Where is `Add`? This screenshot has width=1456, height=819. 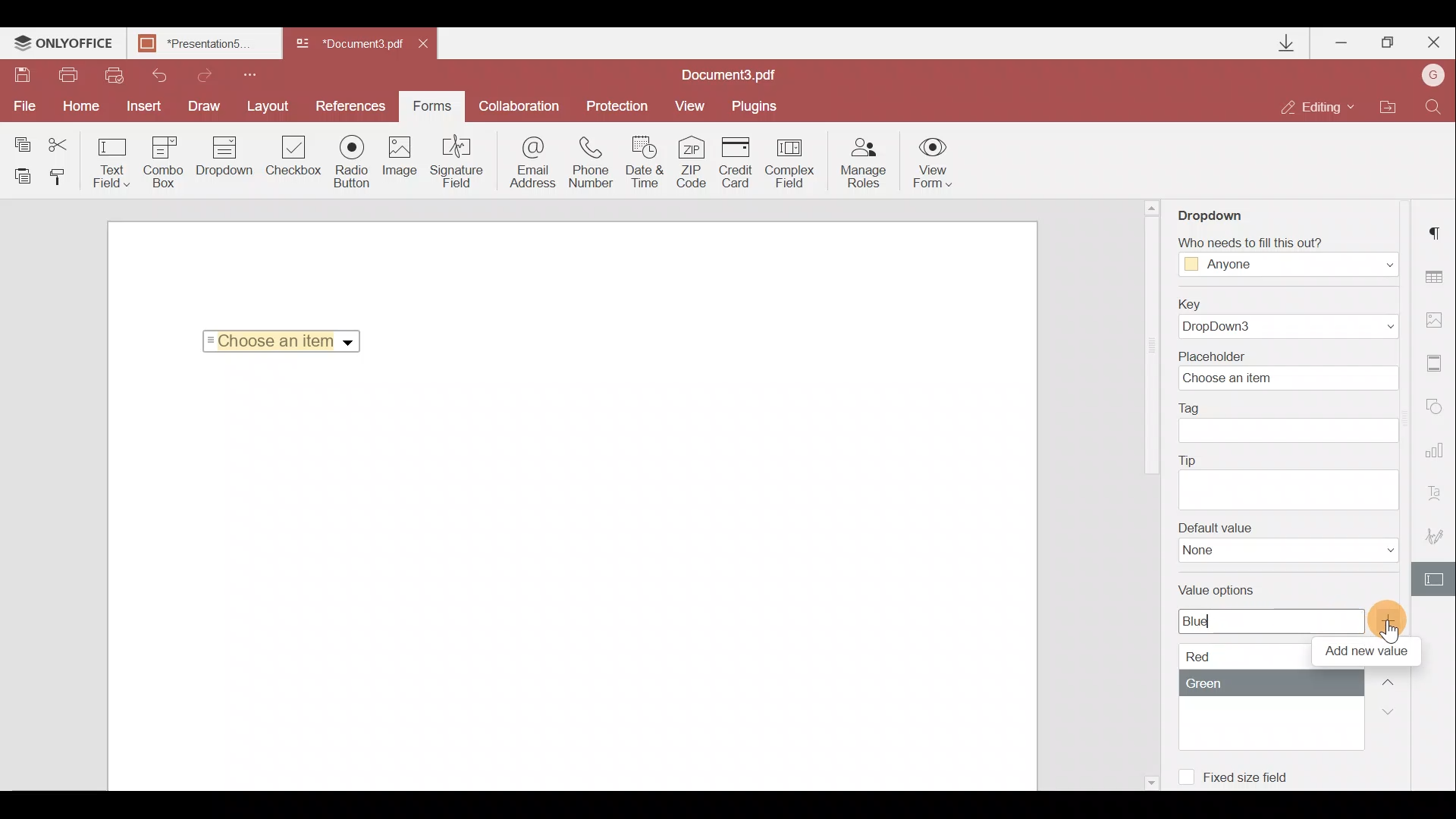
Add is located at coordinates (1387, 620).